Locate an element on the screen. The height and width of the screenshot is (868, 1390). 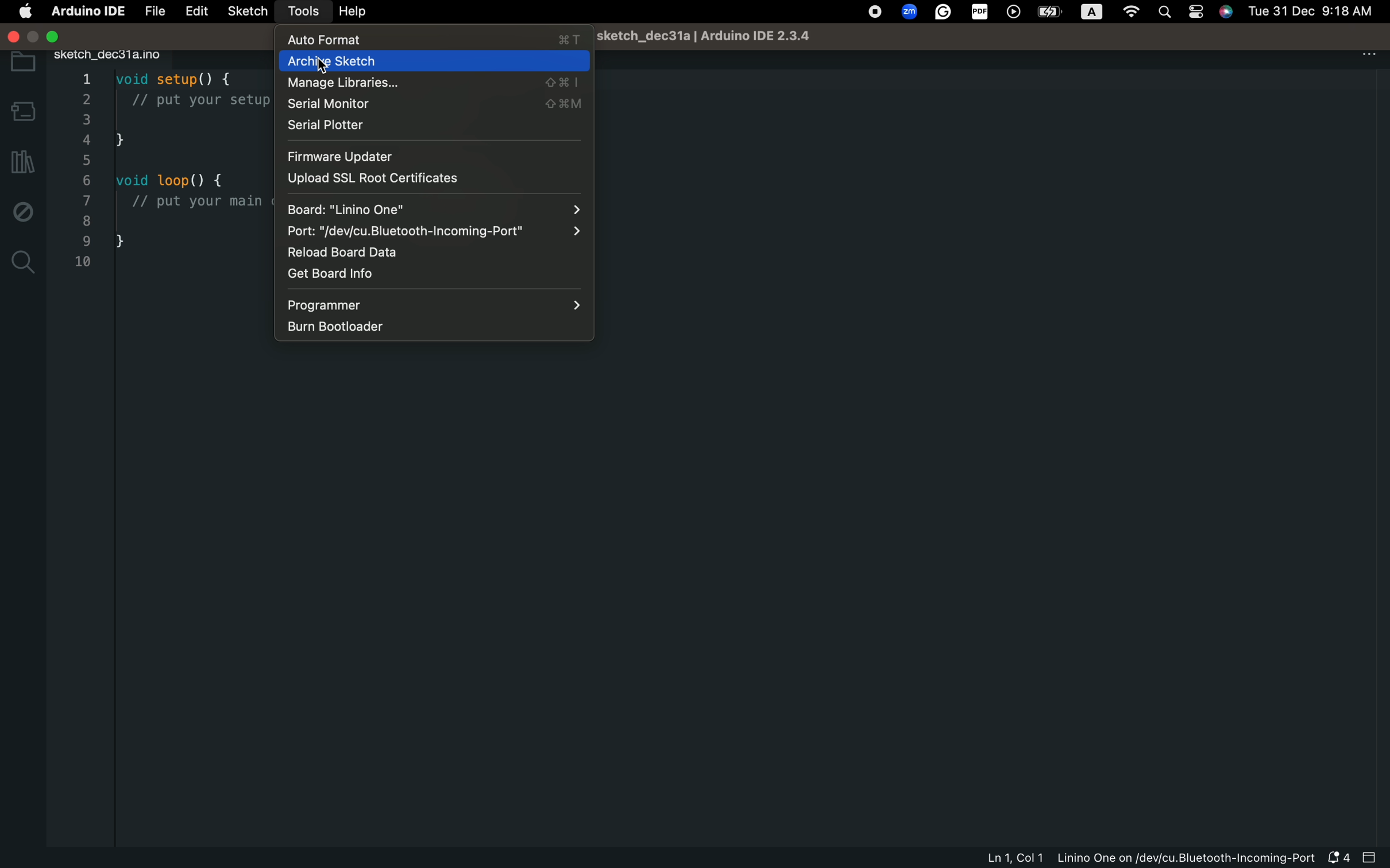
Archive sketch  is located at coordinates (435, 59).